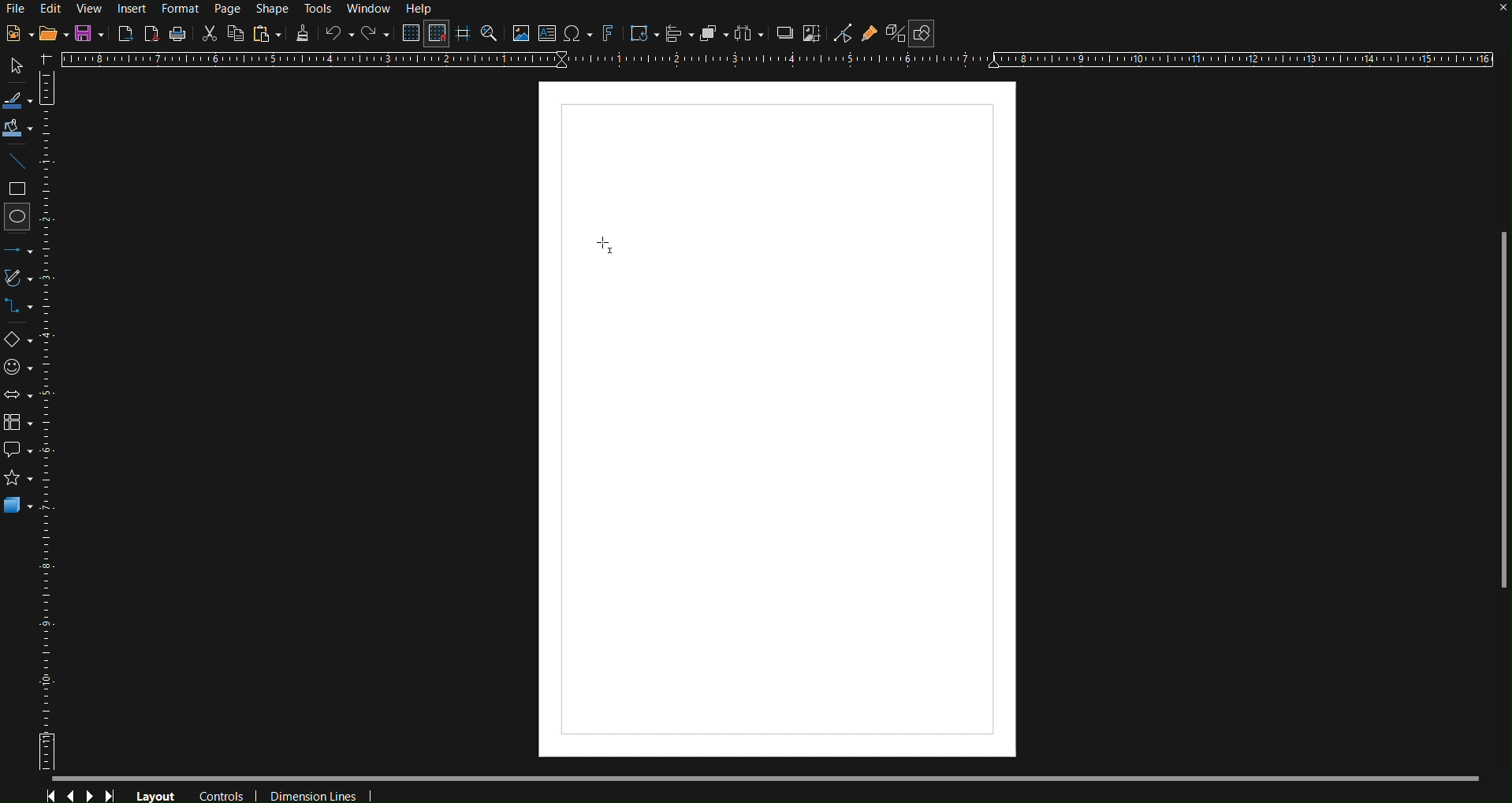 The width and height of the screenshot is (1512, 803). Describe the element at coordinates (423, 9) in the screenshot. I see `Help` at that location.